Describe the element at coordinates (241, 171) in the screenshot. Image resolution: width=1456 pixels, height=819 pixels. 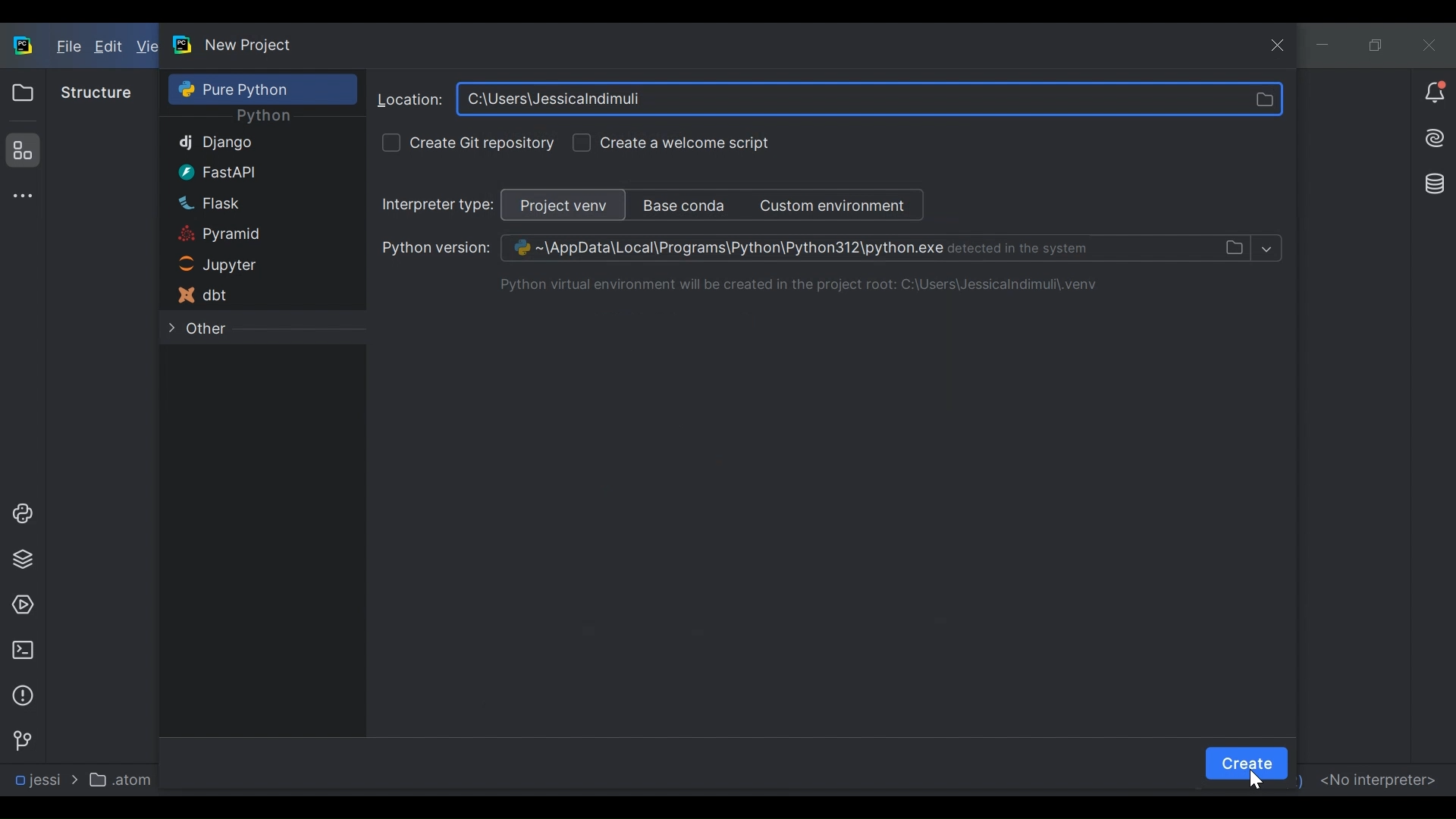
I see `FastAPI` at that location.